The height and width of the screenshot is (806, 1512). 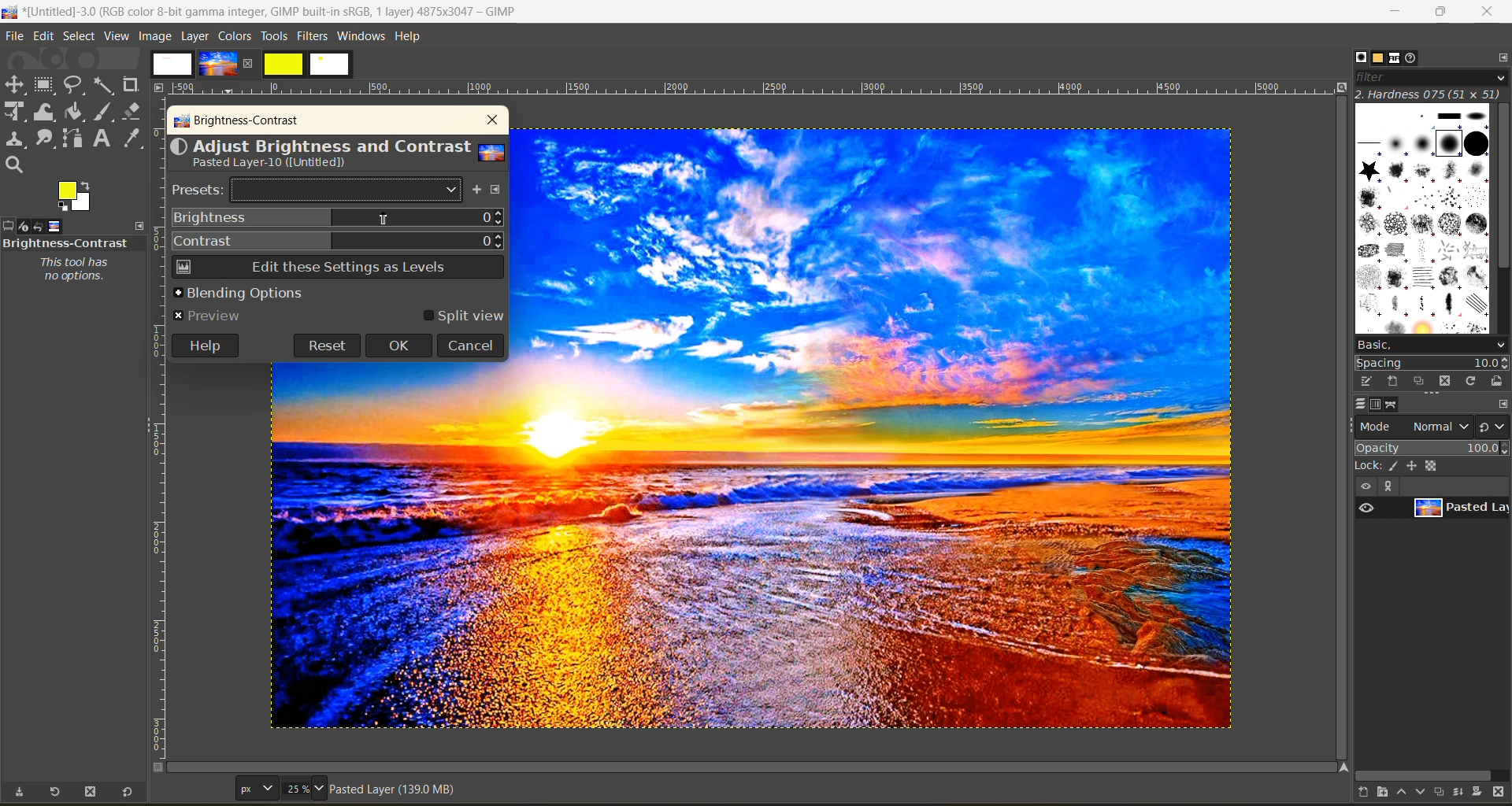 I want to click on delete brush, so click(x=1448, y=383).